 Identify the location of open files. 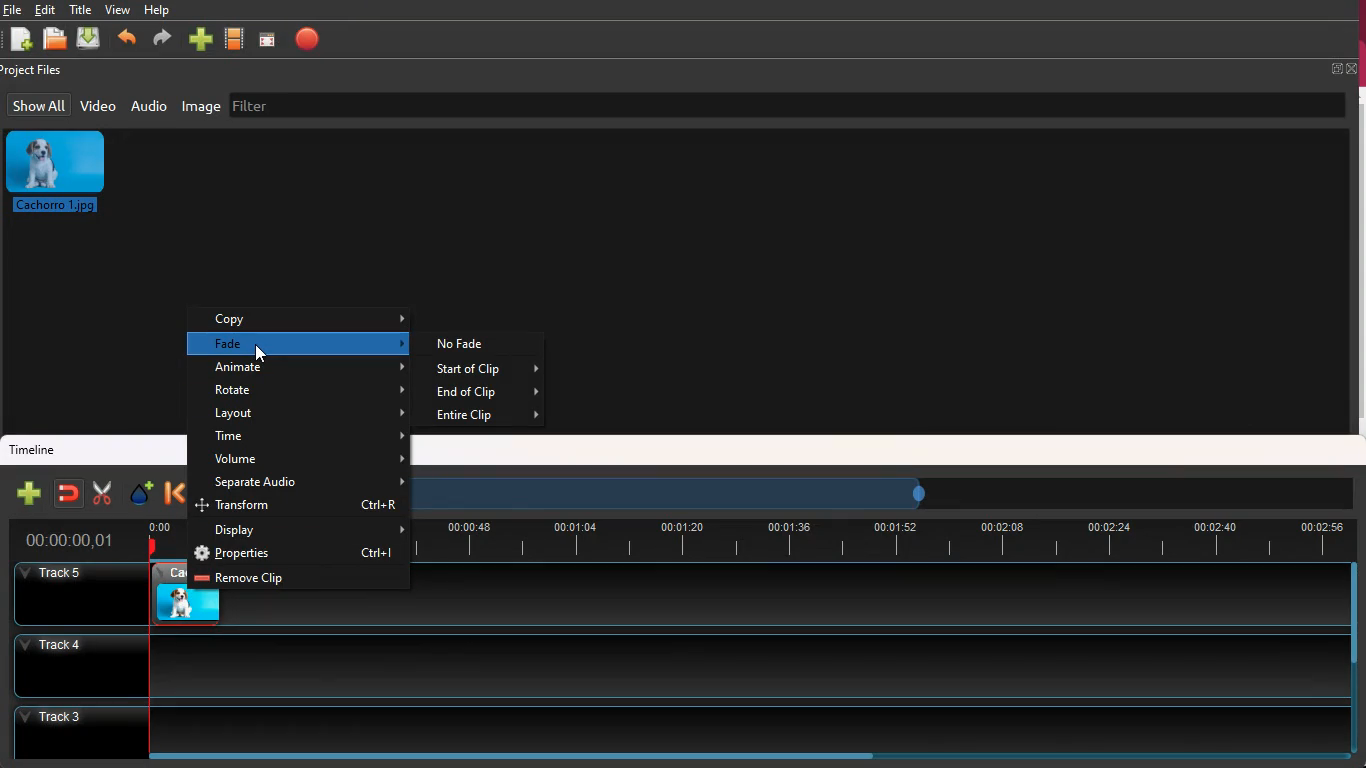
(55, 39).